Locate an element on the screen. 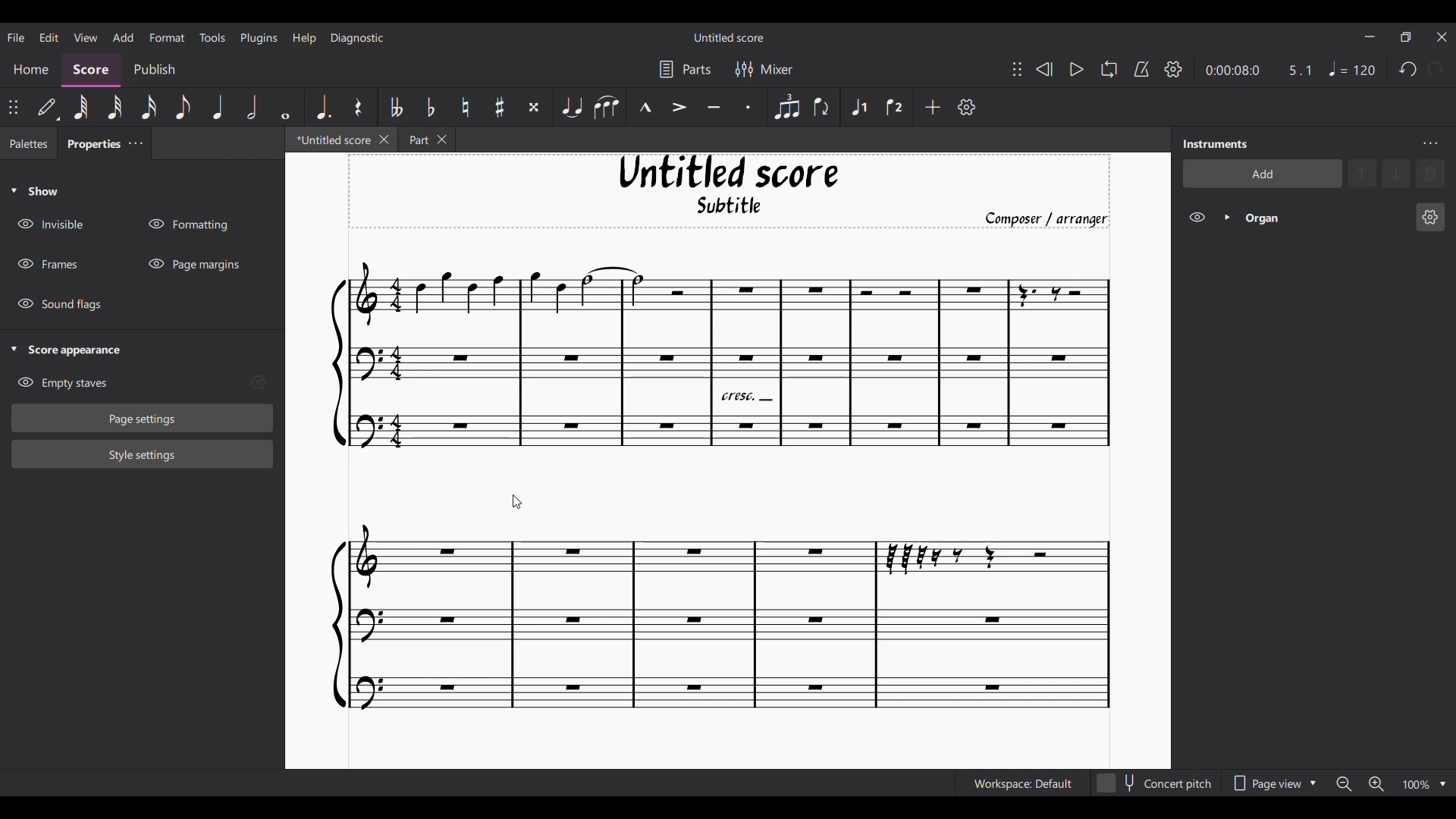 The width and height of the screenshot is (1456, 819). Tenuto is located at coordinates (714, 108).